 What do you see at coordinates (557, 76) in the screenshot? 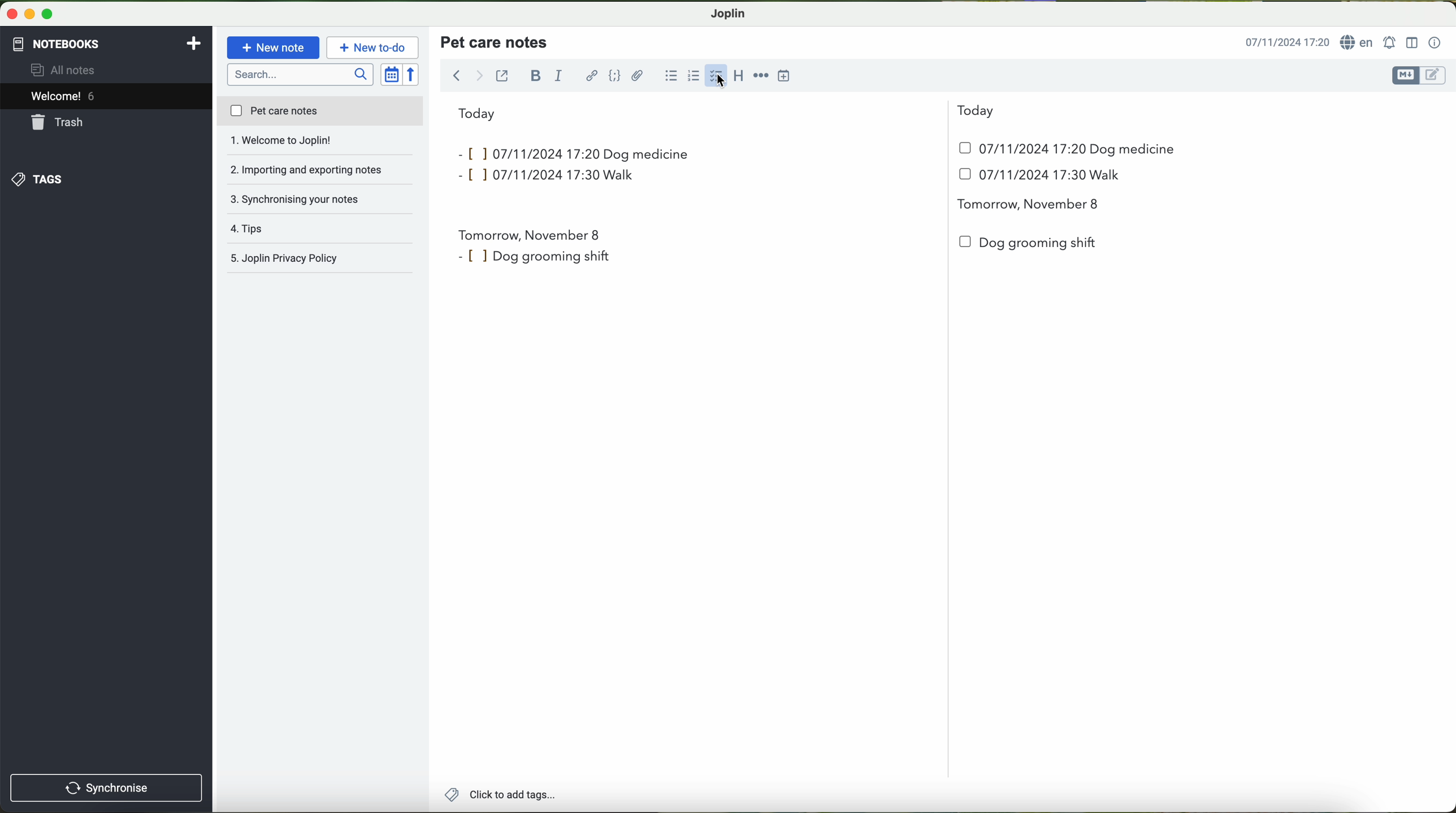
I see `italic` at bounding box center [557, 76].